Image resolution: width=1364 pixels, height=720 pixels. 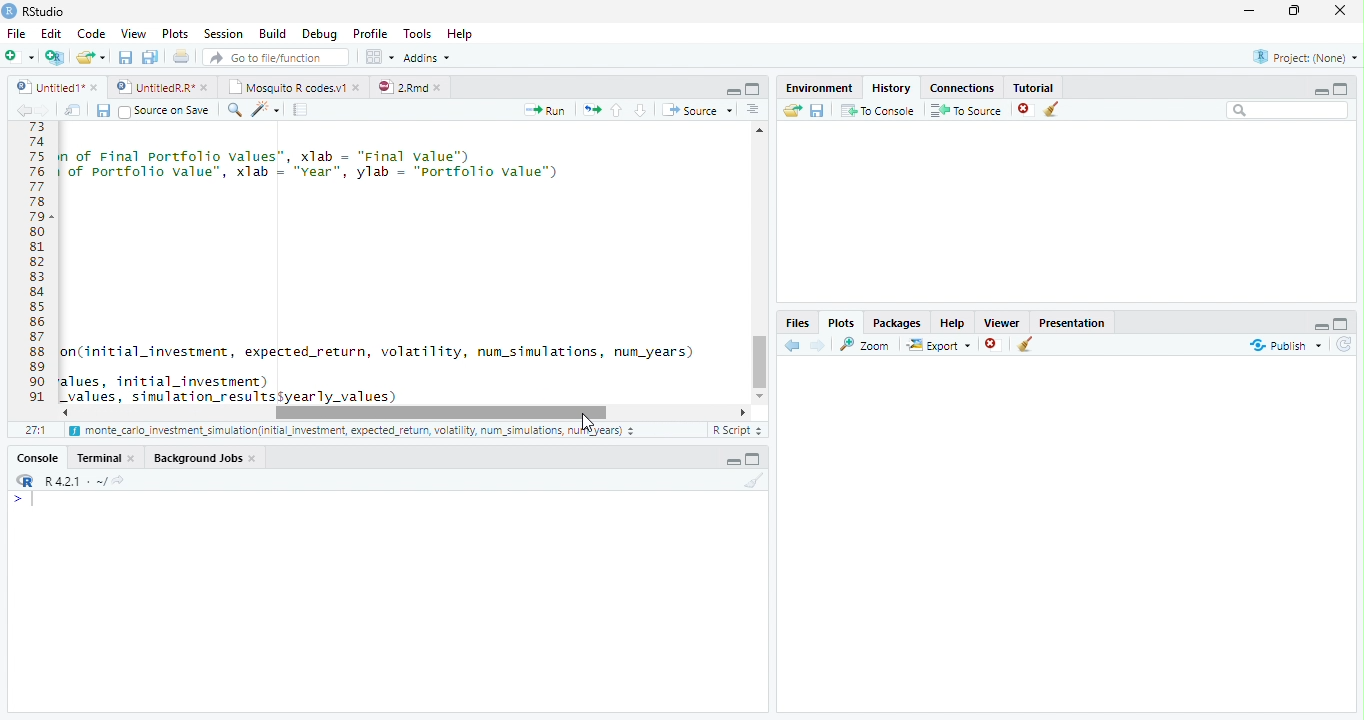 I want to click on To Source, so click(x=966, y=110).